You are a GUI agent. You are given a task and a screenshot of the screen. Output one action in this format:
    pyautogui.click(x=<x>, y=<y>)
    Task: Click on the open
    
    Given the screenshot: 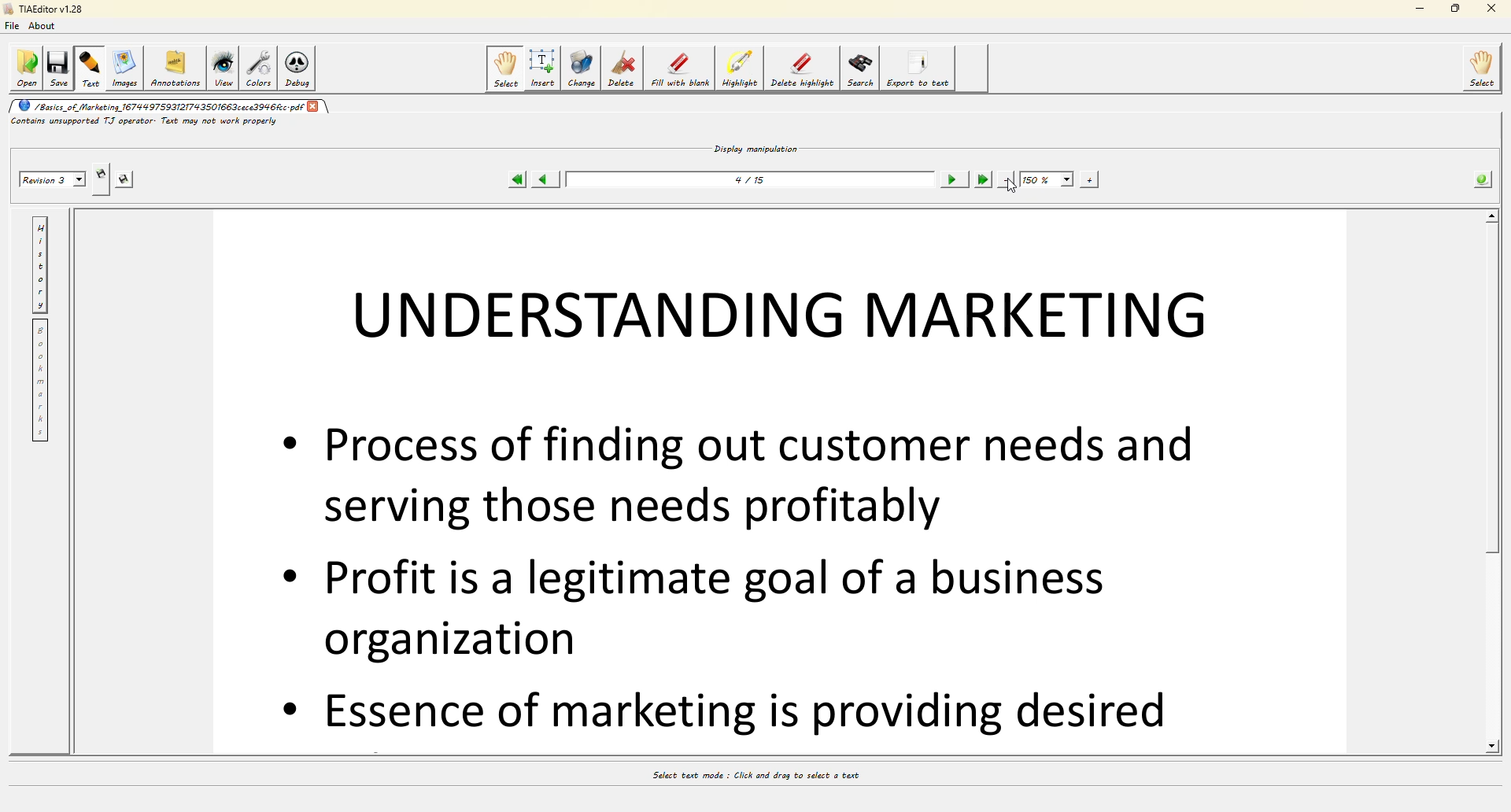 What is the action you would take?
    pyautogui.click(x=25, y=68)
    